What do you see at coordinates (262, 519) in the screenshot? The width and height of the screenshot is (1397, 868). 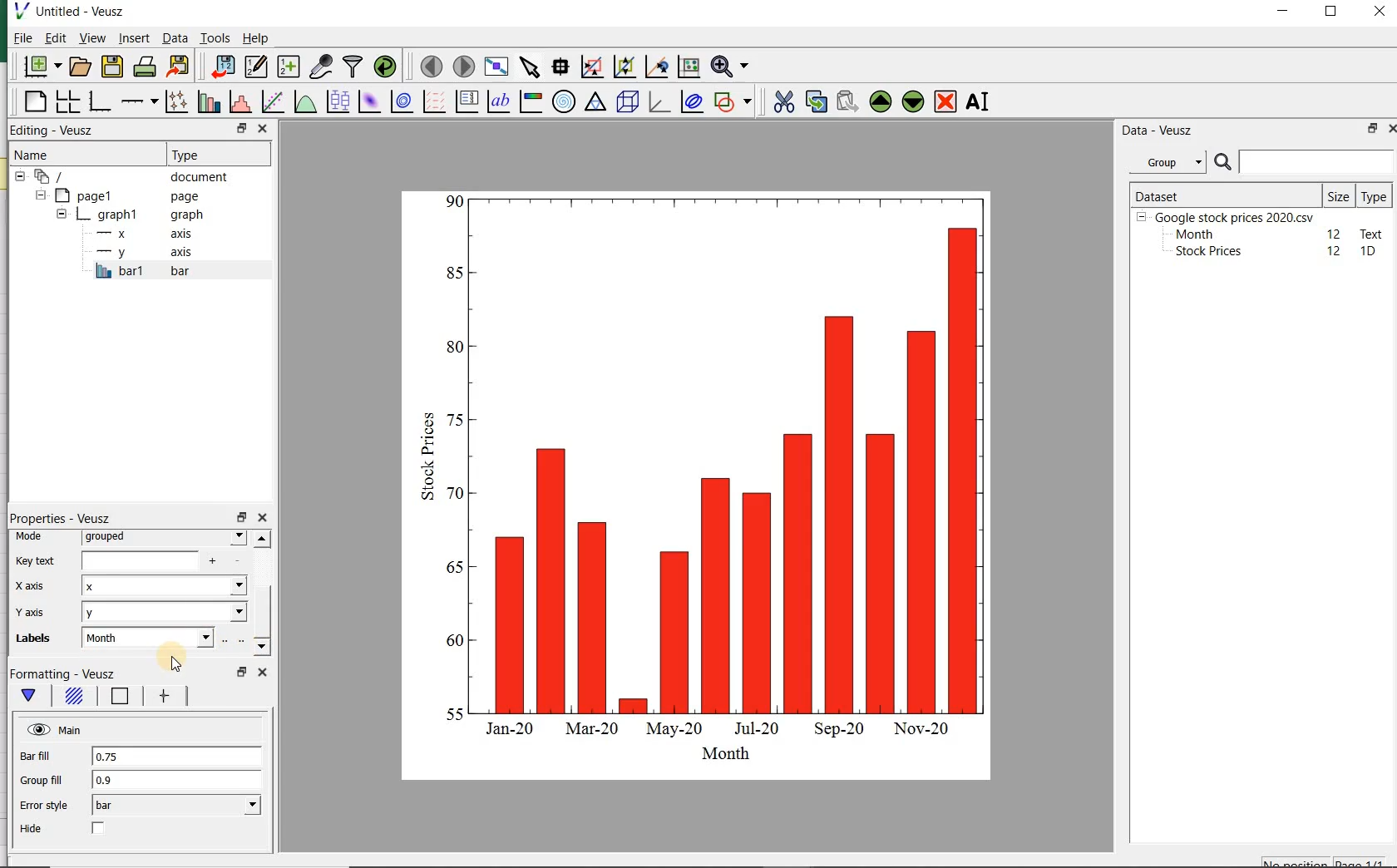 I see `close` at bounding box center [262, 519].